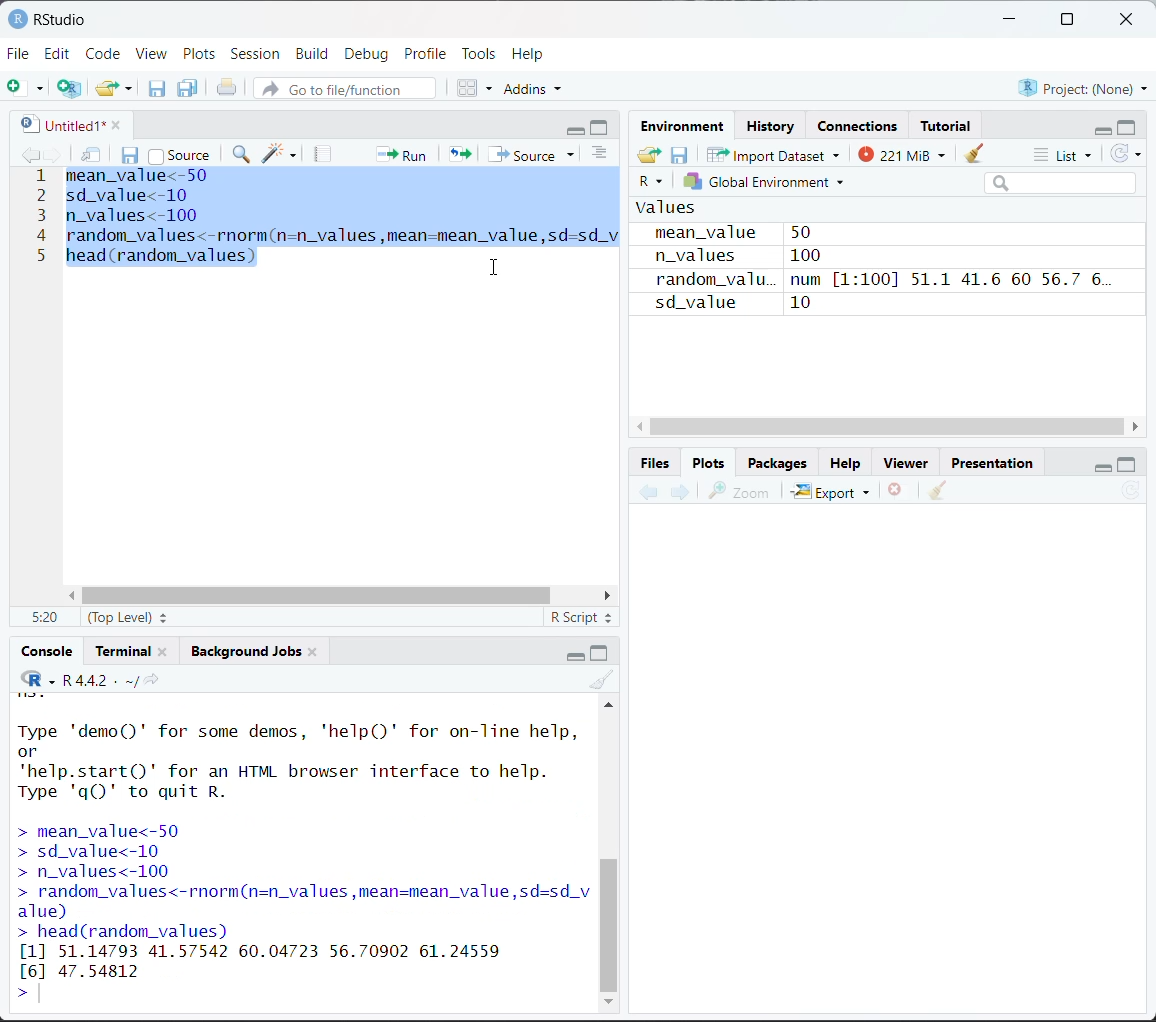  What do you see at coordinates (340, 235) in the screenshot?
I see `random_values<-rnorm(n=n_values ,mean=mean_value,sd=sd_v` at bounding box center [340, 235].